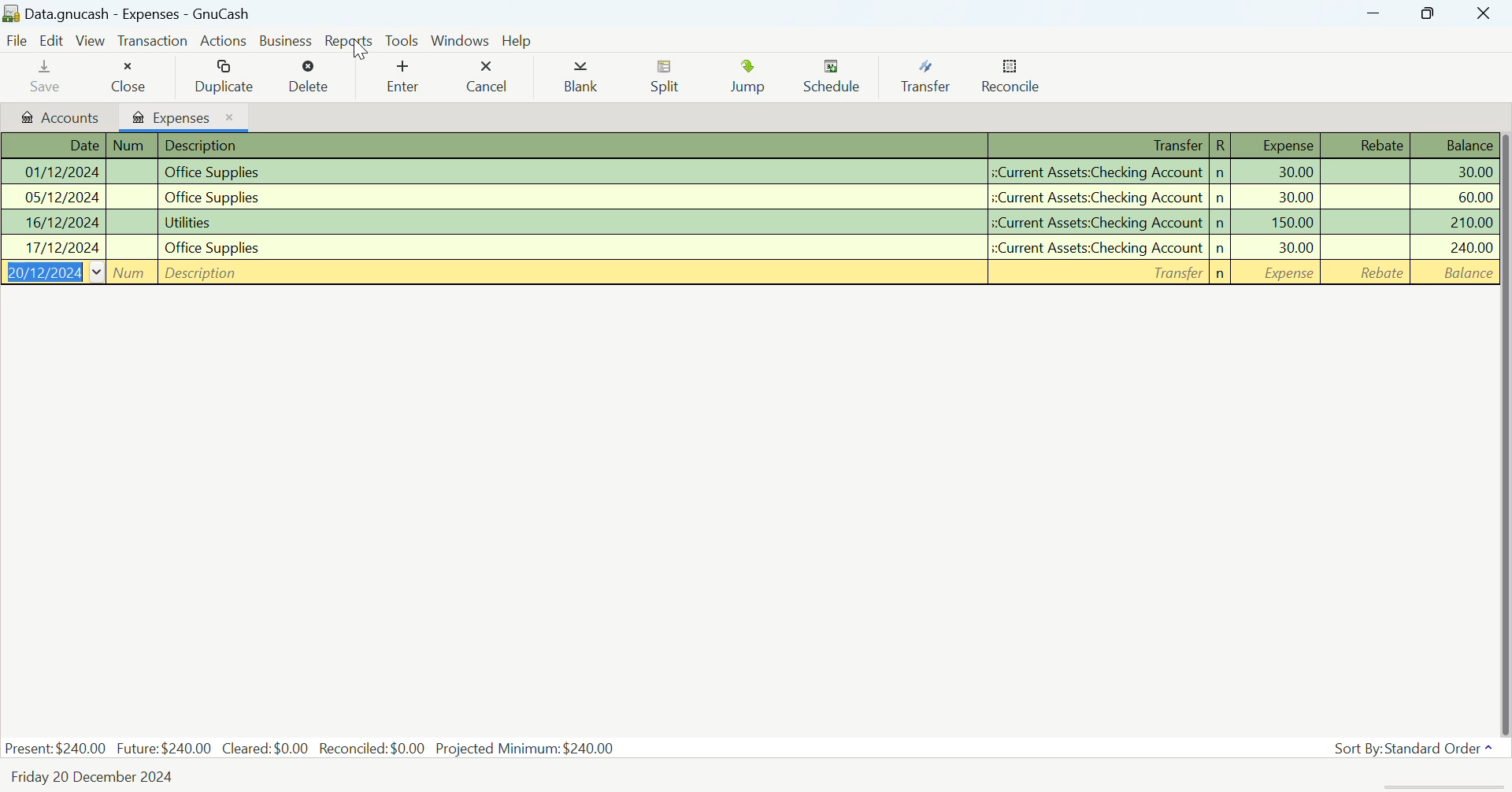 This screenshot has height=792, width=1512. Describe the element at coordinates (1375, 13) in the screenshot. I see `Restore Down` at that location.